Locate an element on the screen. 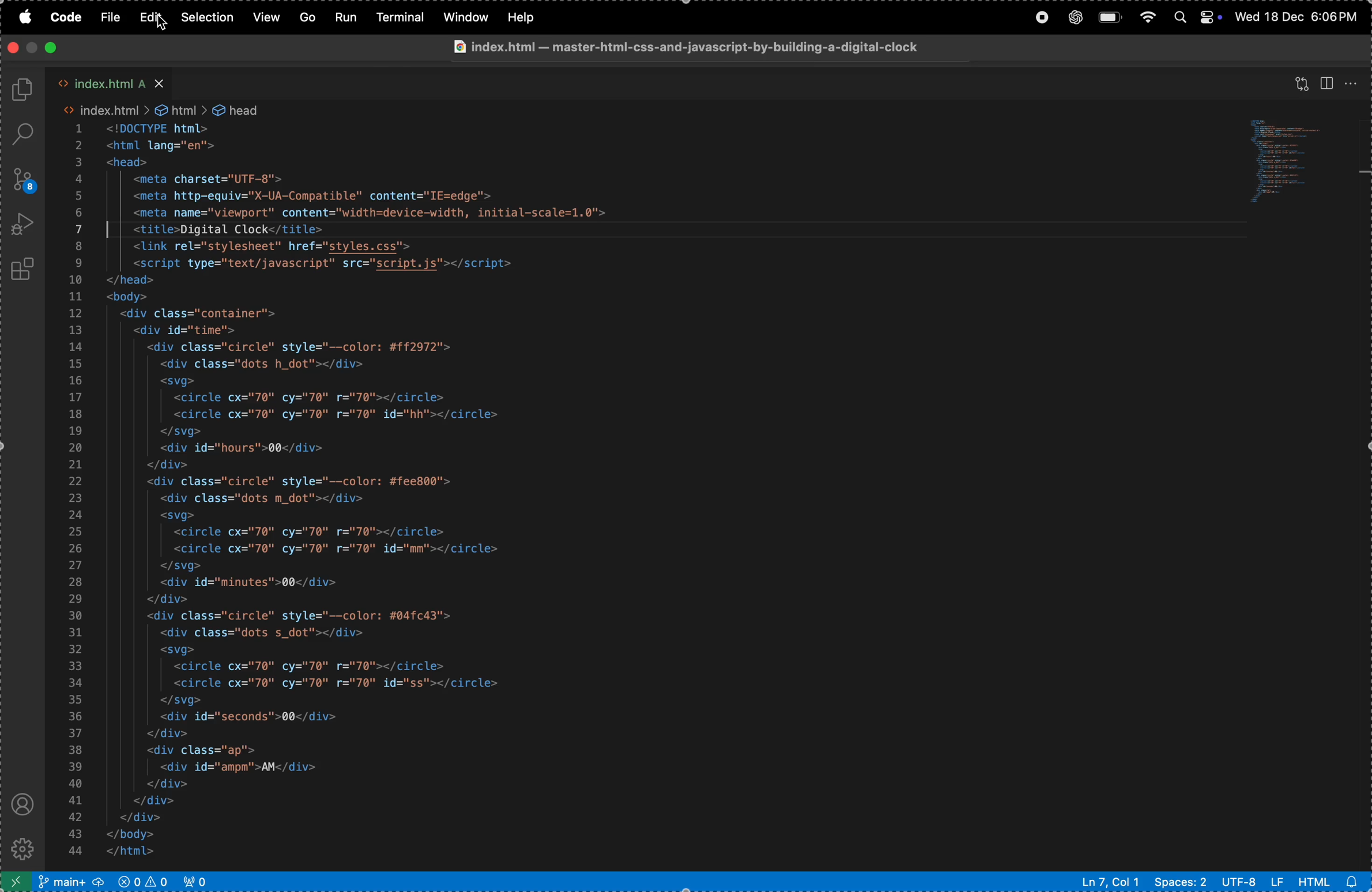 This screenshot has height=892, width=1372. apple widgets is located at coordinates (1195, 18).